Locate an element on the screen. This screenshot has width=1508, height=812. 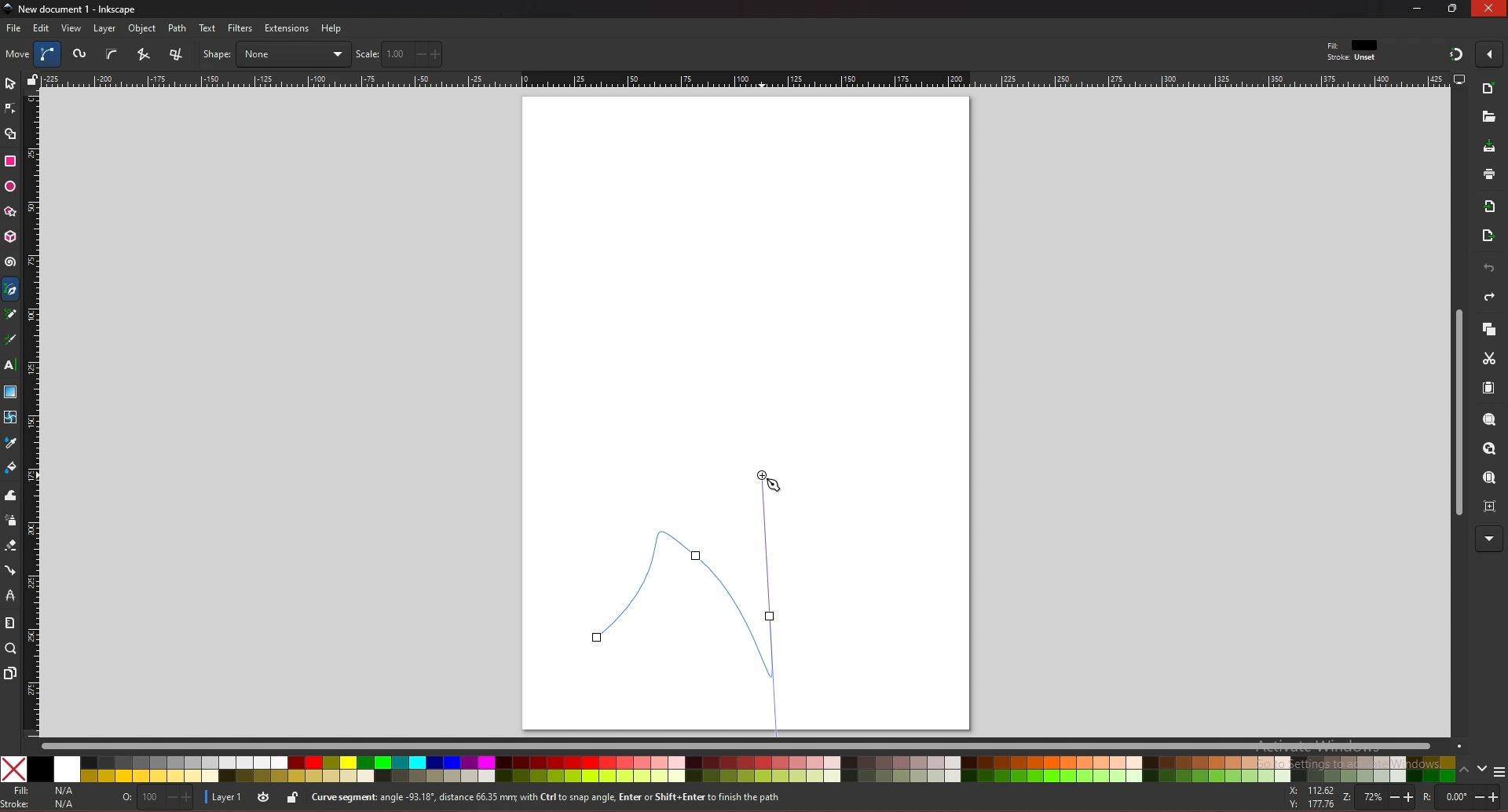
stars and polygons is located at coordinates (11, 212).